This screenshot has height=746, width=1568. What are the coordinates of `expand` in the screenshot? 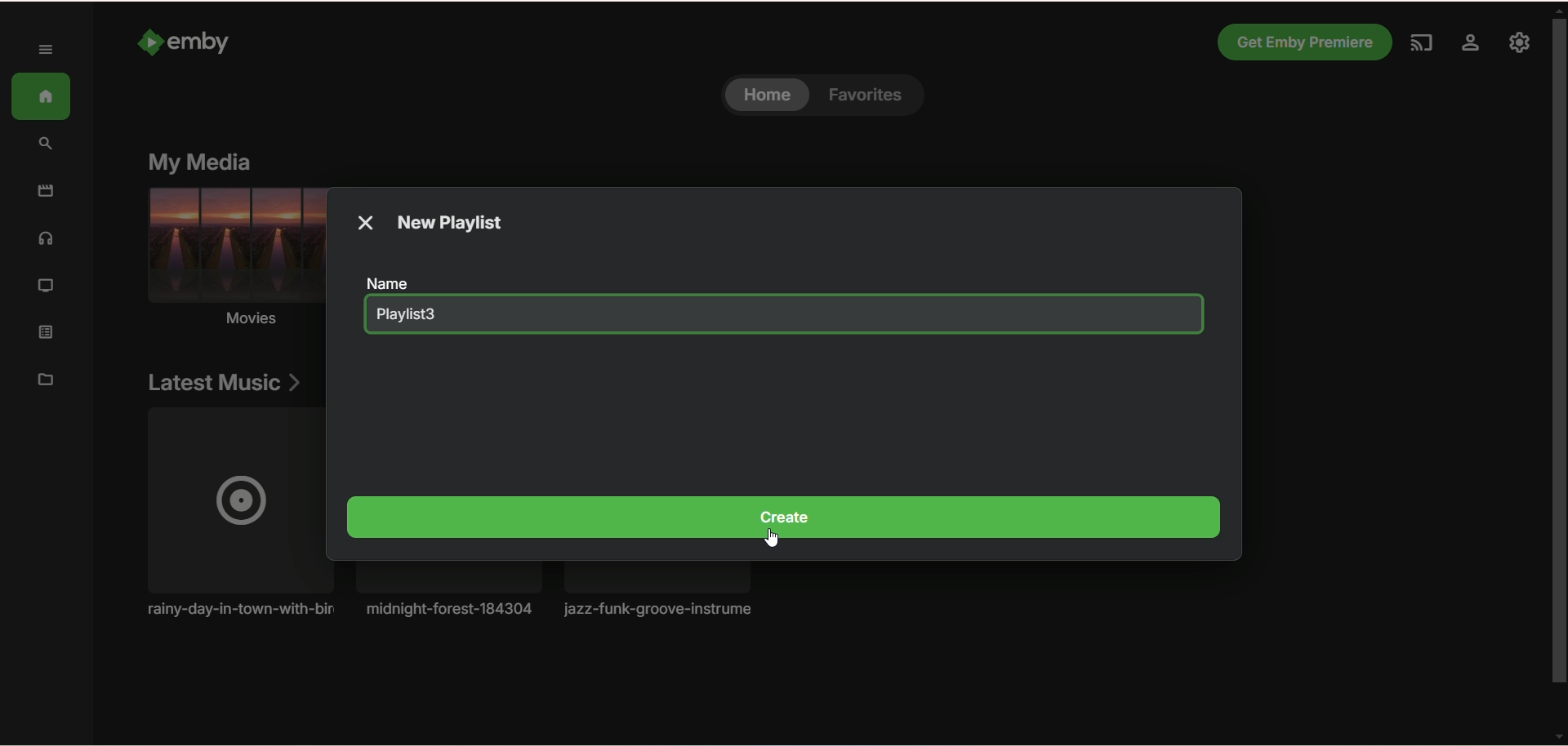 It's located at (47, 50).